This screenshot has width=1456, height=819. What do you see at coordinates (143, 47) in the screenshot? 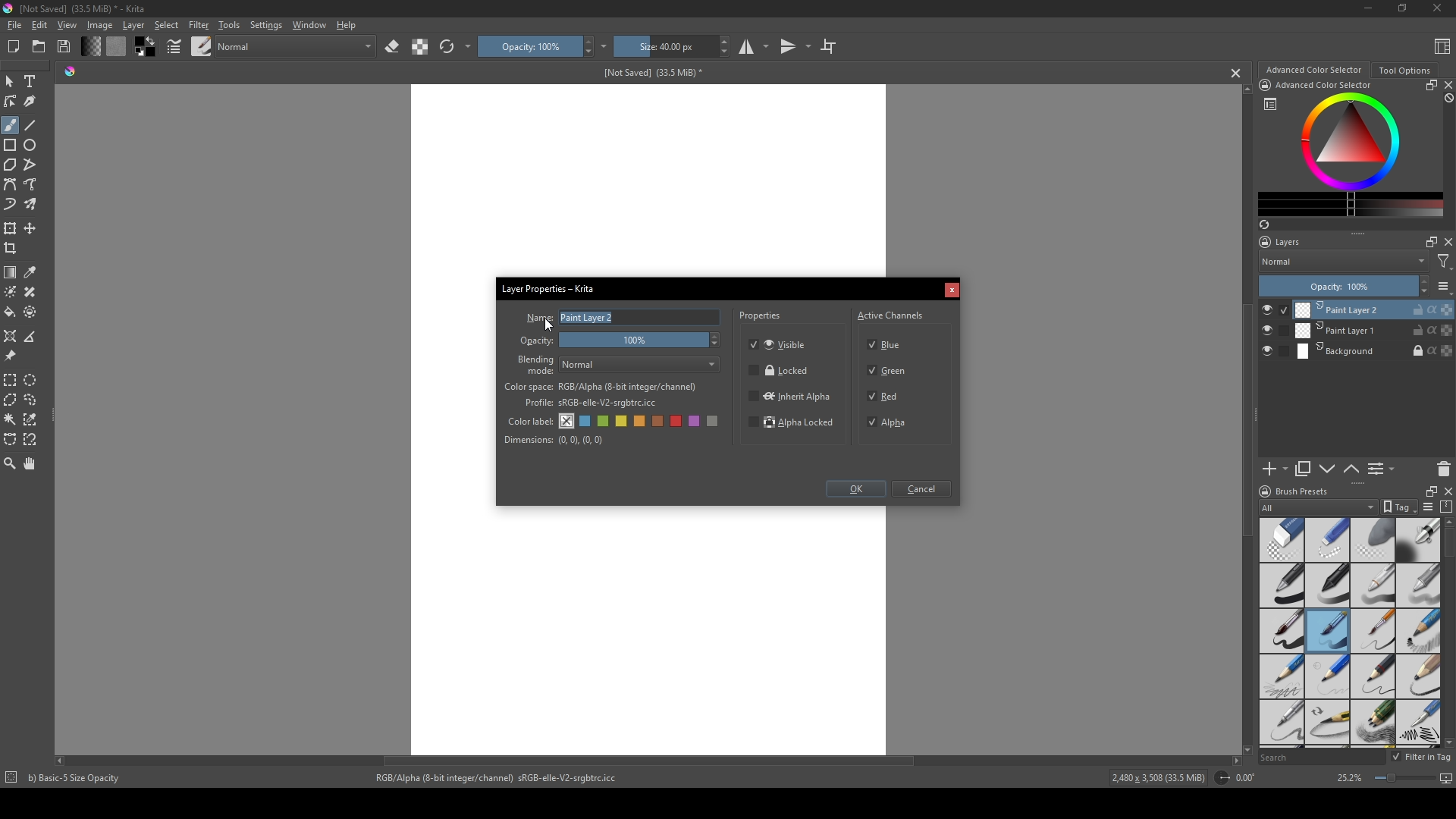
I see `color` at bounding box center [143, 47].